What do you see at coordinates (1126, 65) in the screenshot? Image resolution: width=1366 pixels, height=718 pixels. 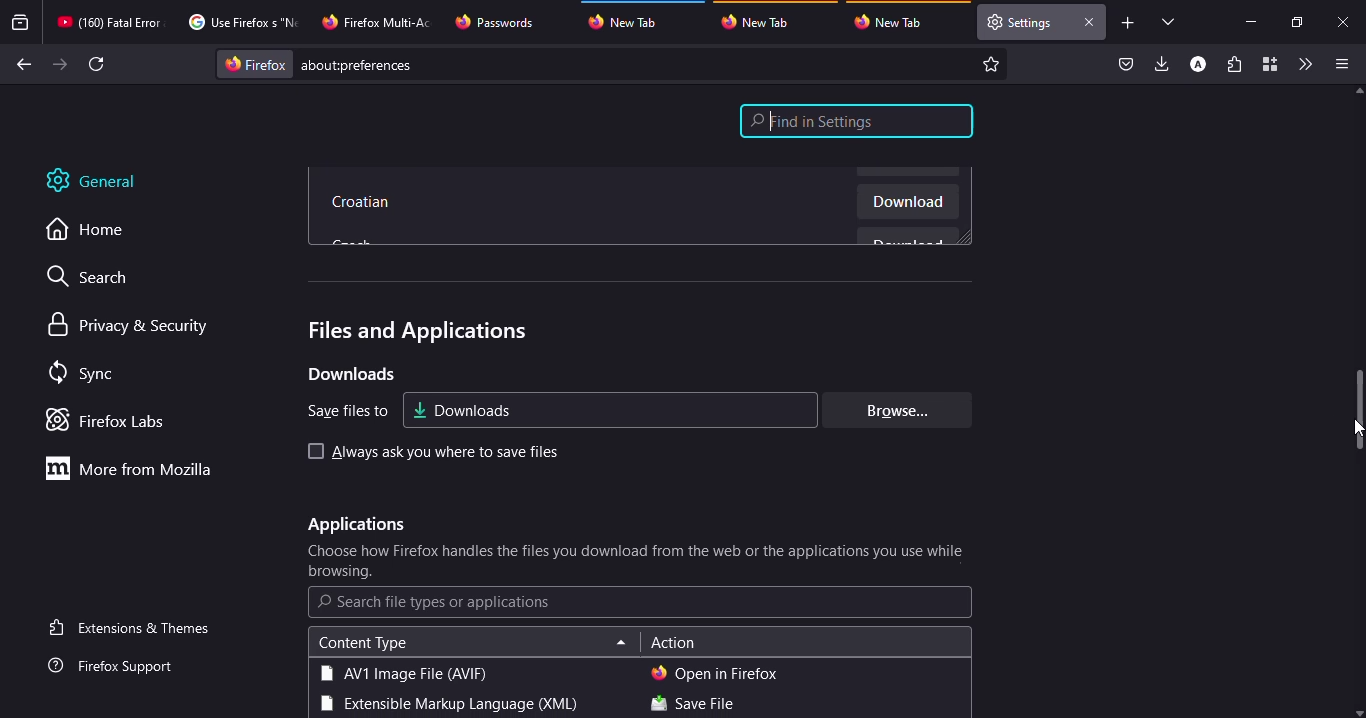 I see `save to pocket` at bounding box center [1126, 65].